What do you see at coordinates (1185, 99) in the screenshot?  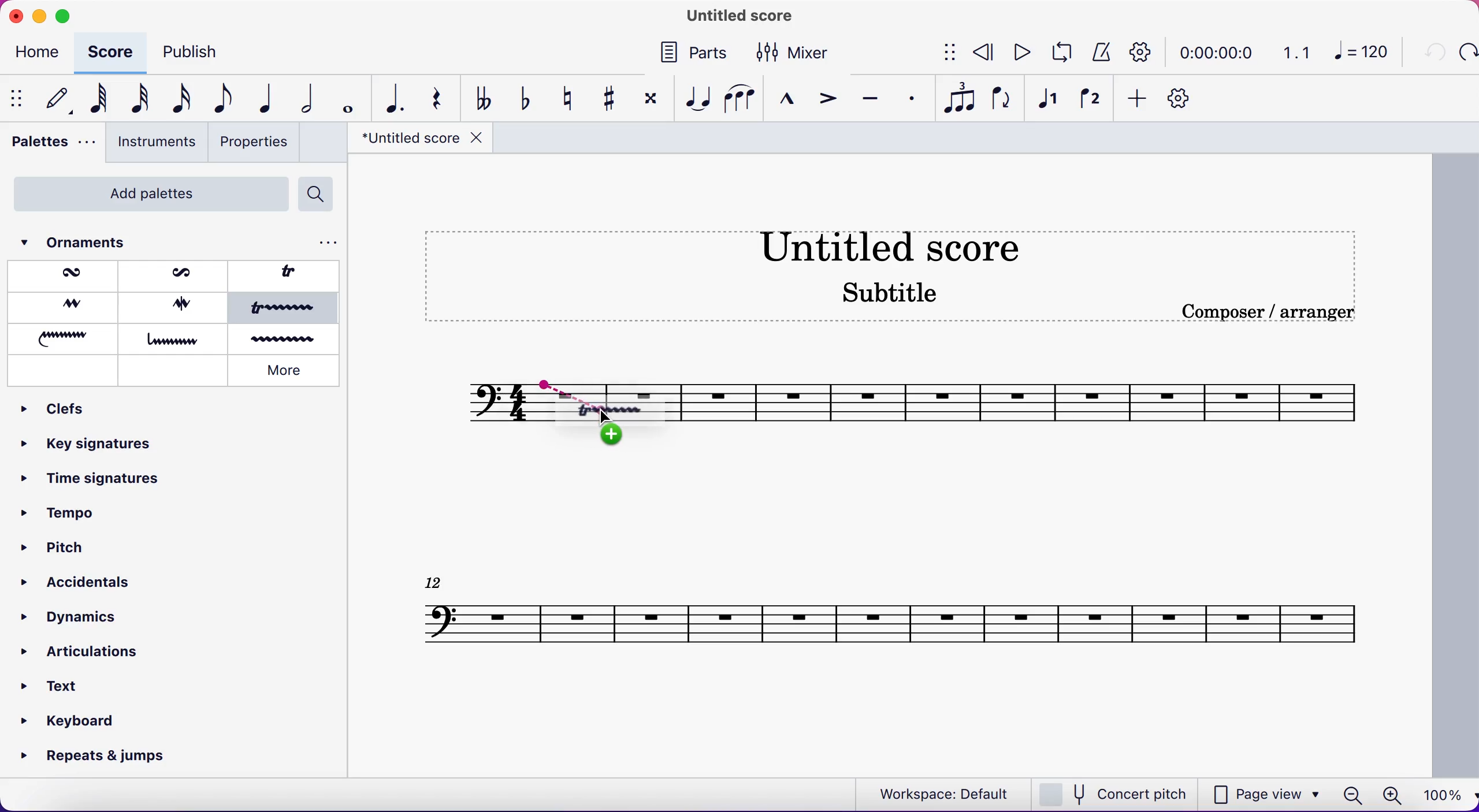 I see `customization tool` at bounding box center [1185, 99].